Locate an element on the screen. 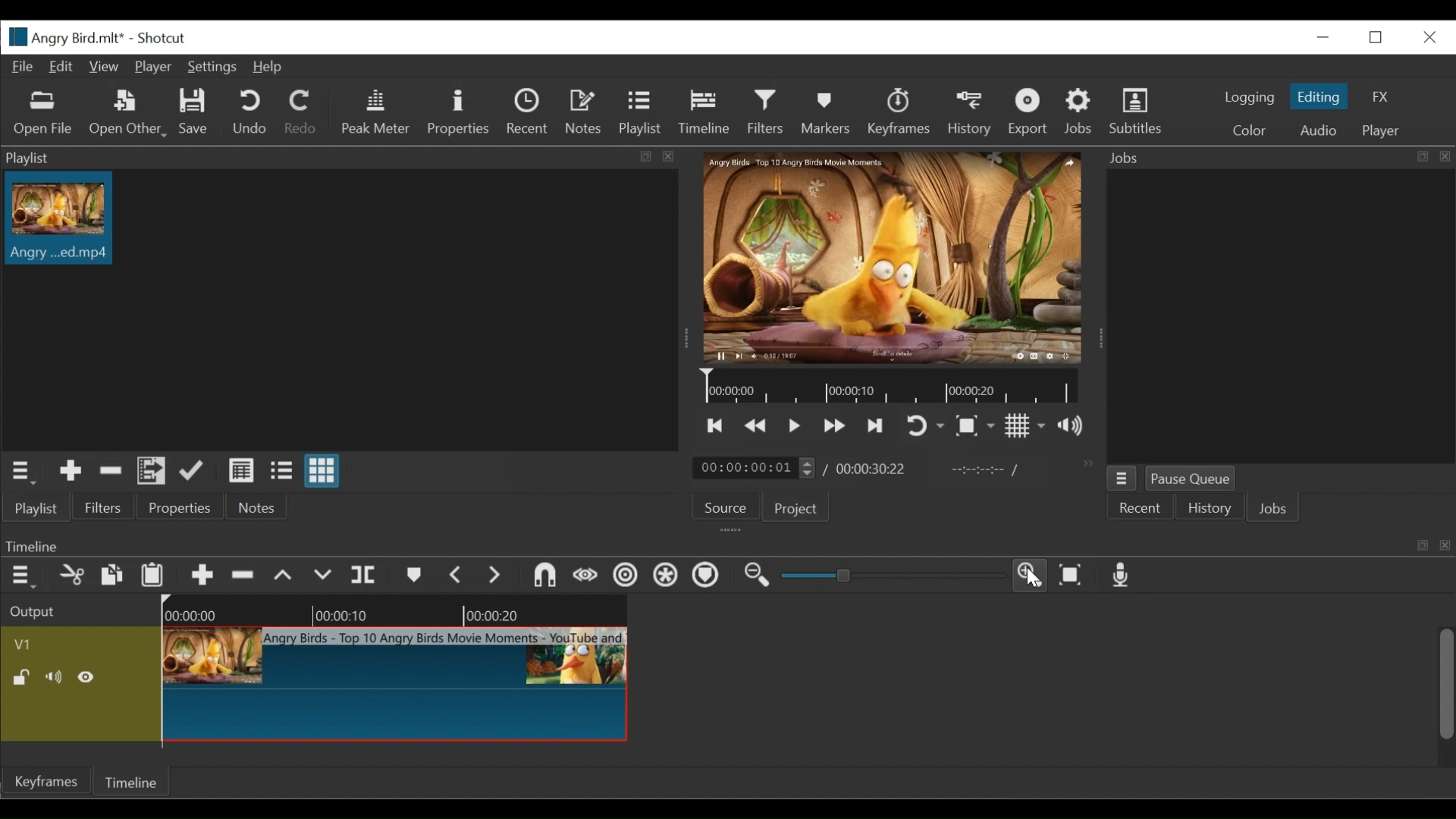 This screenshot has height=819, width=1456. Timeline is located at coordinates (890, 387).